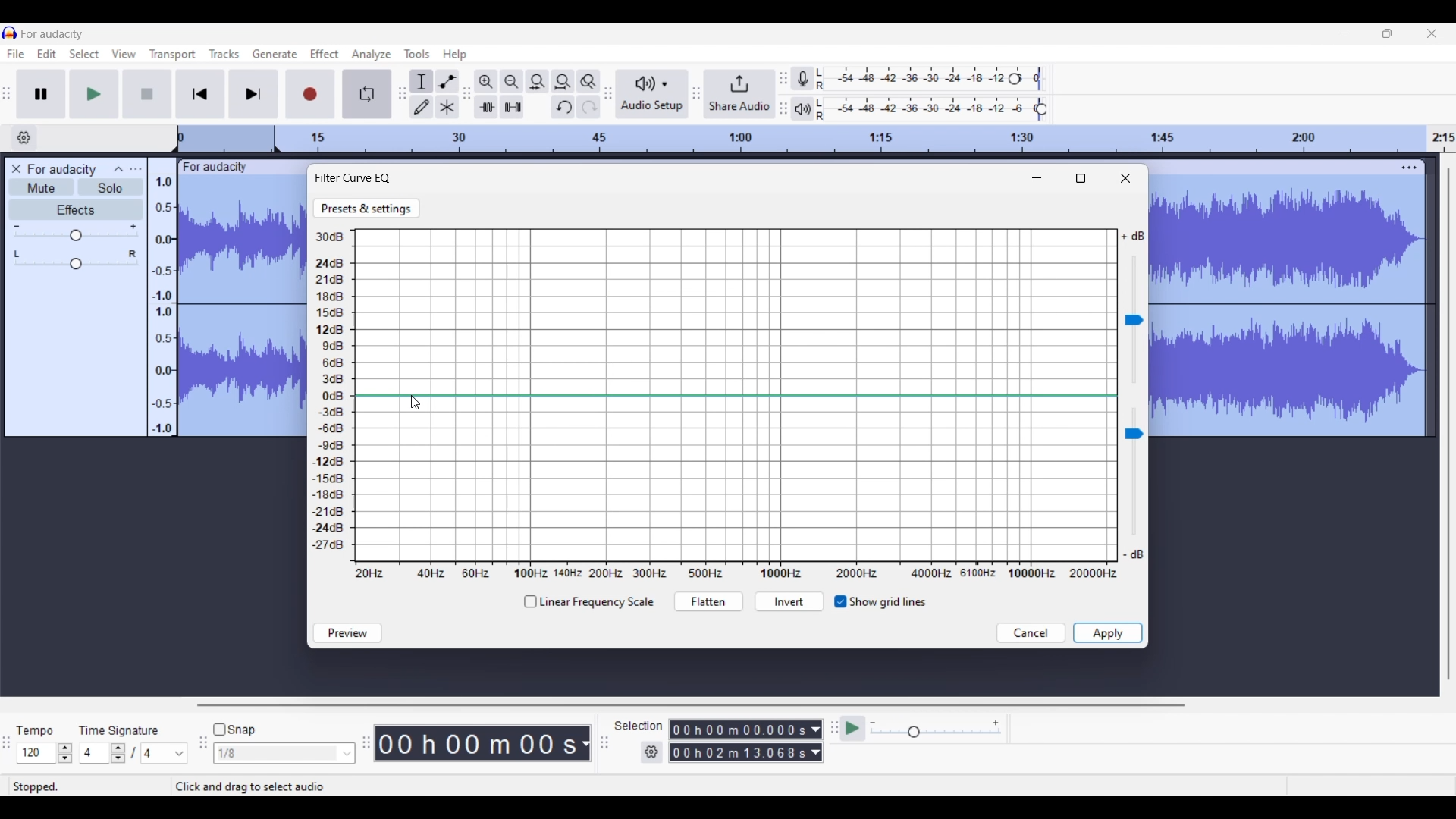 This screenshot has width=1456, height=819. I want to click on Delete track, so click(18, 169).